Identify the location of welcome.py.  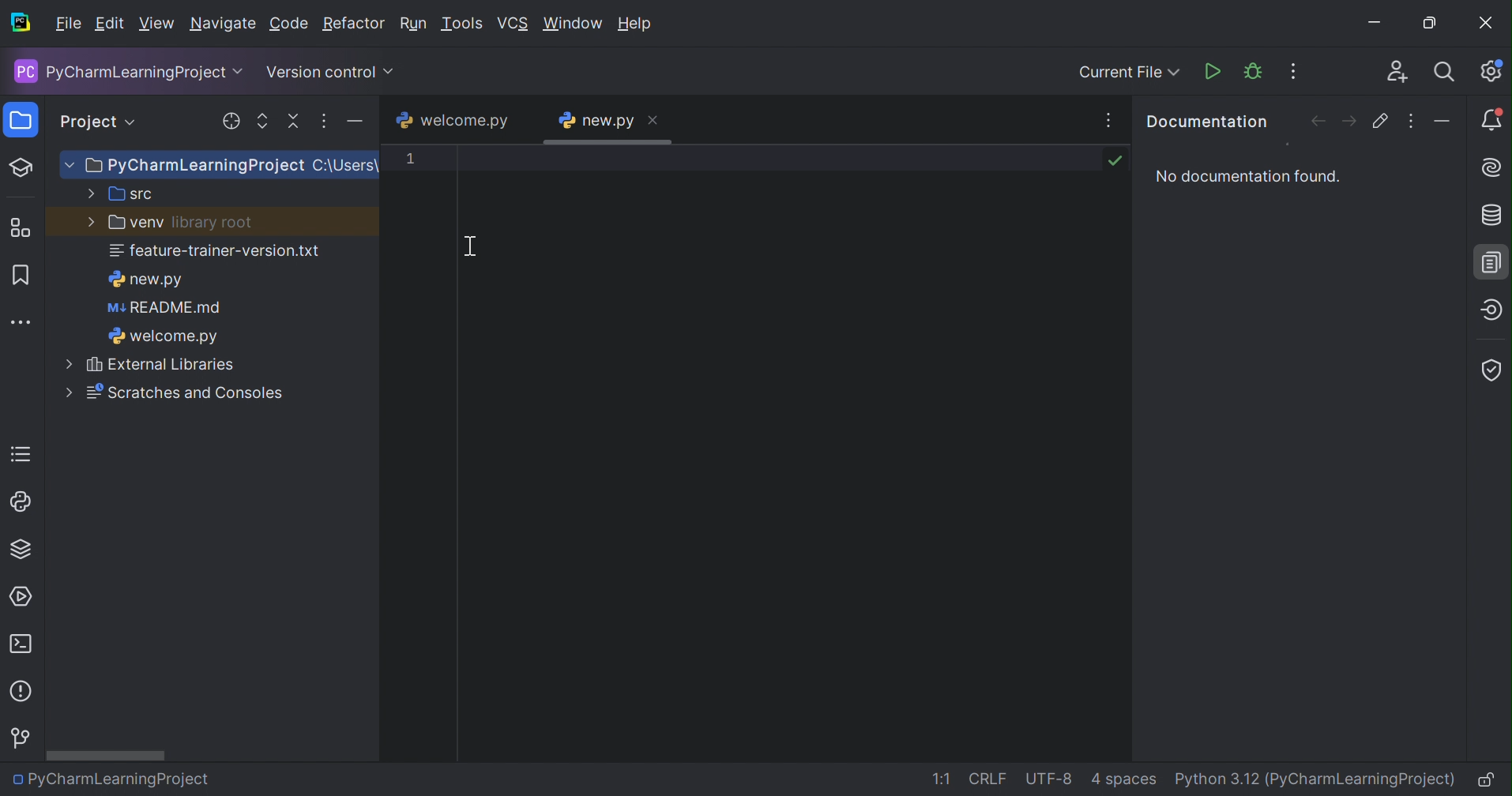
(450, 120).